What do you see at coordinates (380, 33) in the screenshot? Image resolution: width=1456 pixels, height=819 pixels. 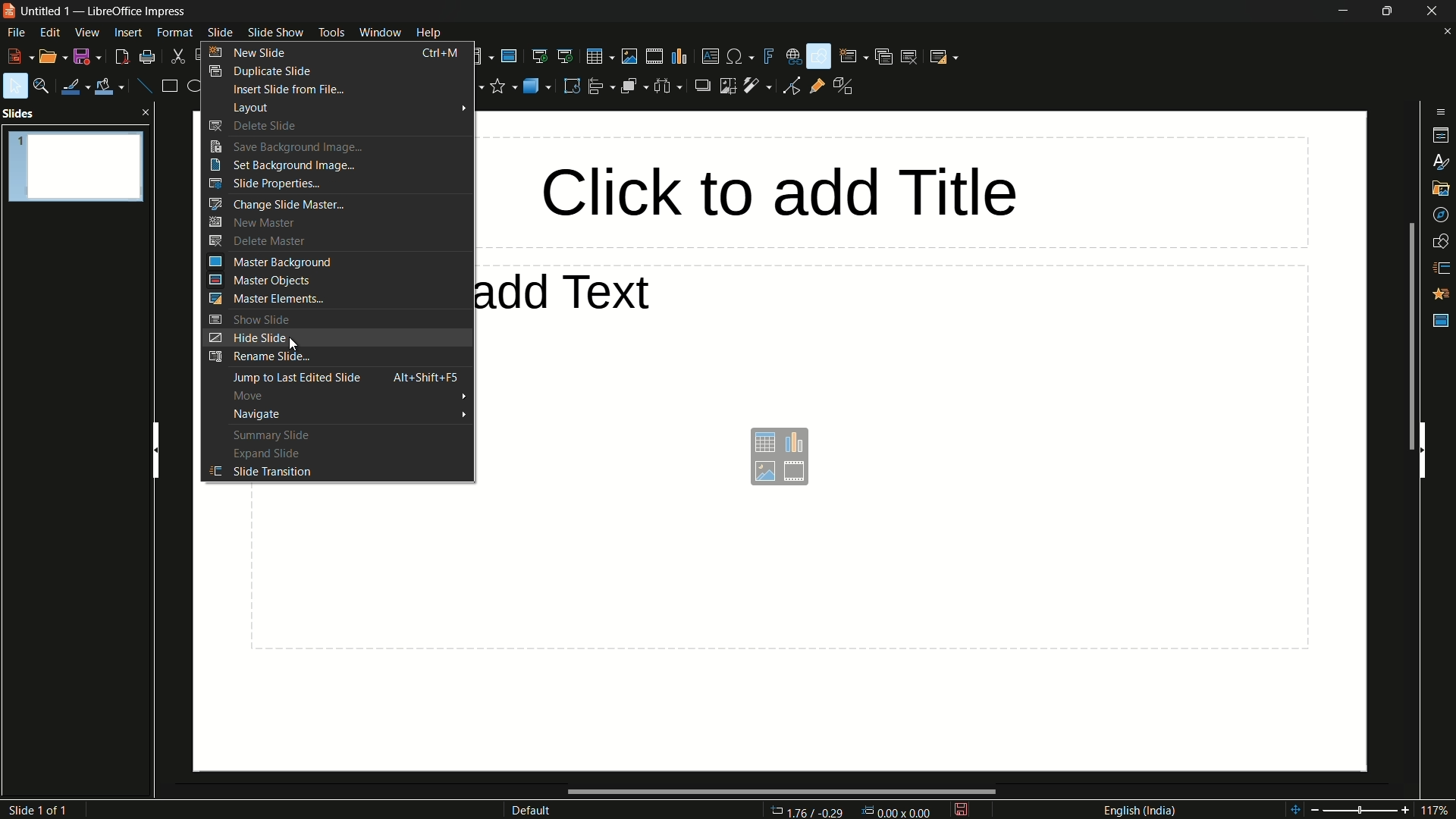 I see `window menu` at bounding box center [380, 33].